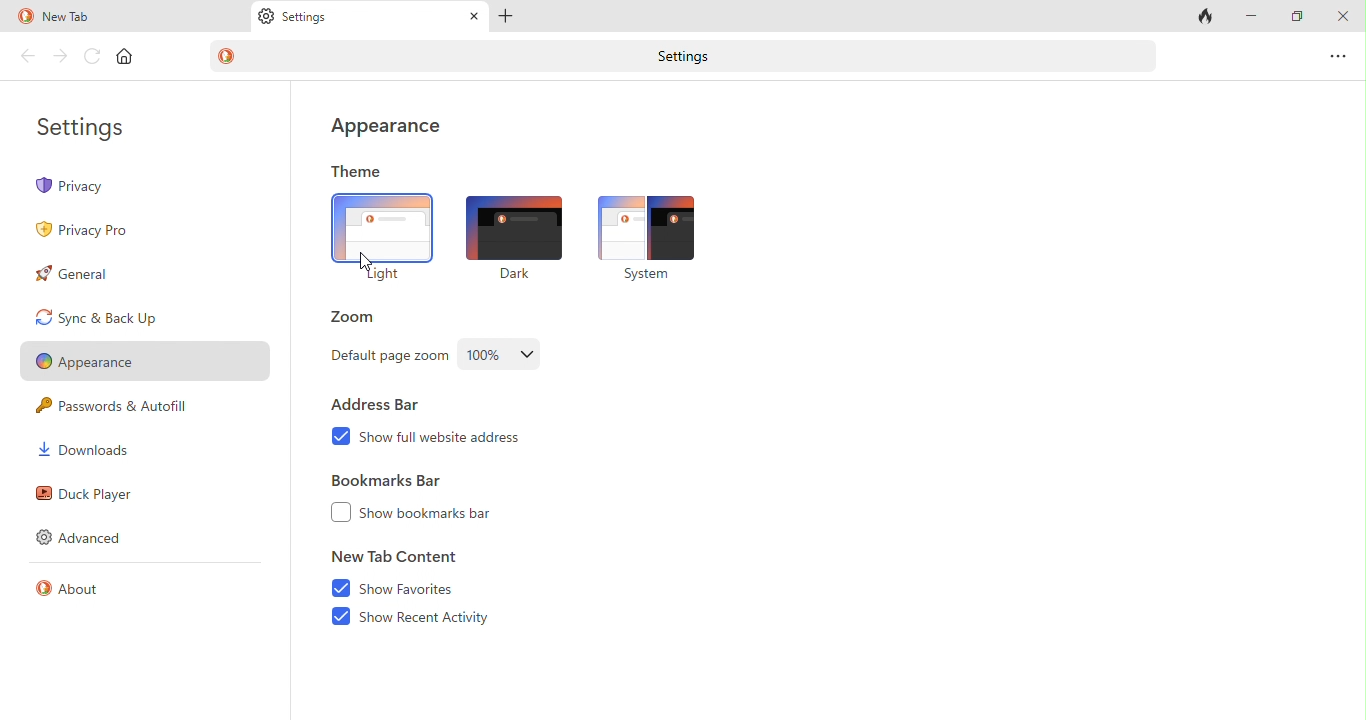 This screenshot has height=720, width=1366. I want to click on show favorites, so click(397, 589).